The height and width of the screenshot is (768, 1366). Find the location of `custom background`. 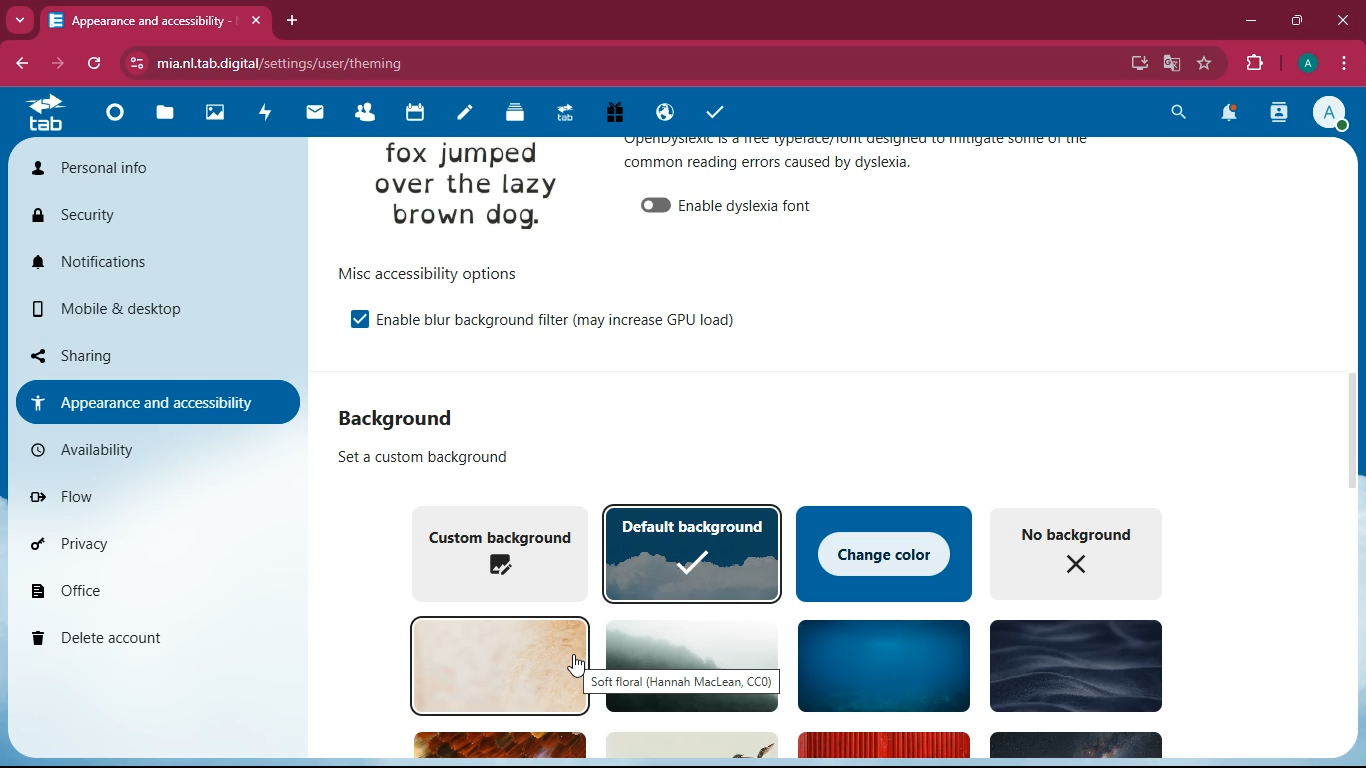

custom background is located at coordinates (425, 456).